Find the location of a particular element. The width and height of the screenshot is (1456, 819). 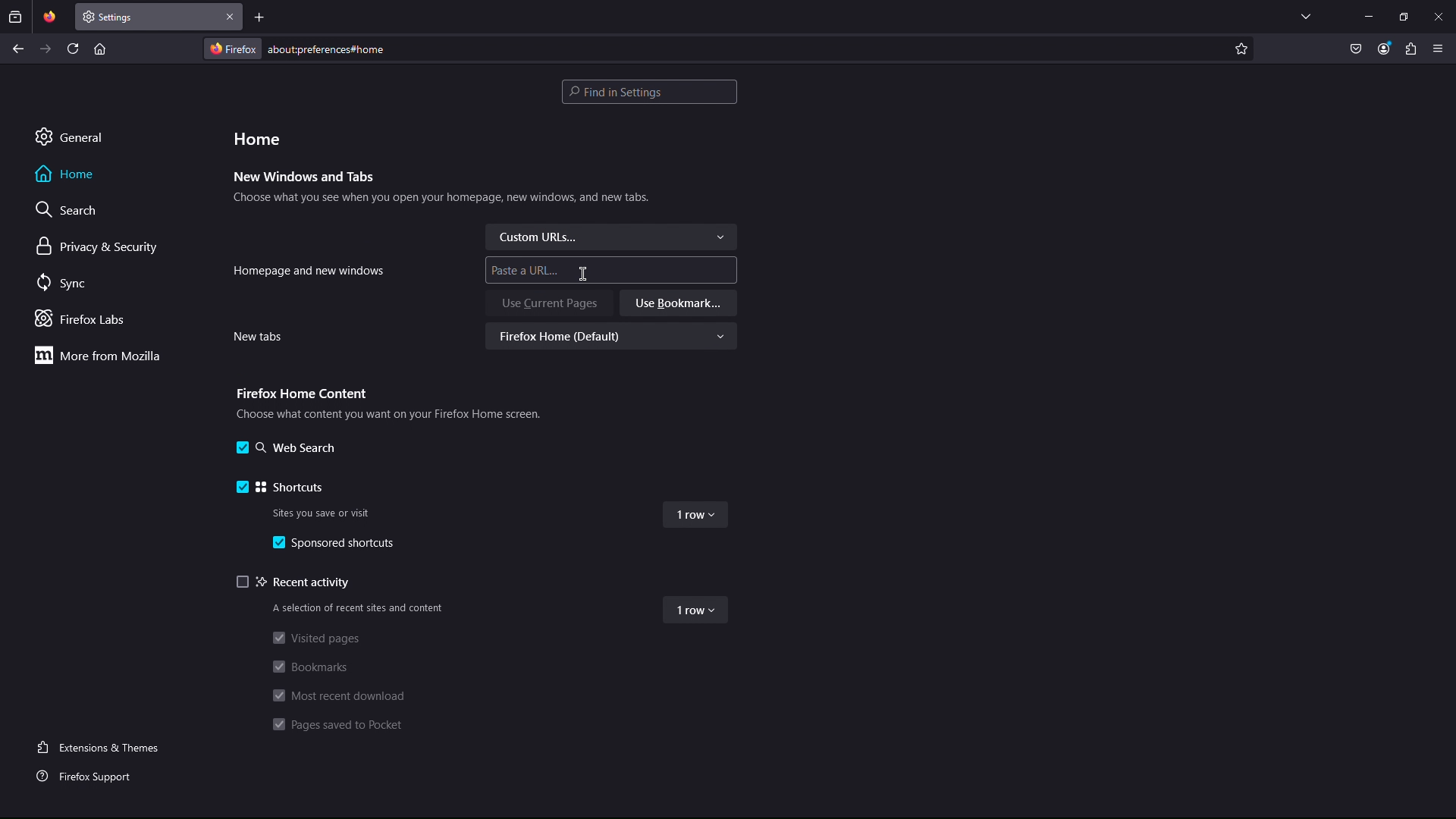

Extensions and Themes is located at coordinates (104, 746).